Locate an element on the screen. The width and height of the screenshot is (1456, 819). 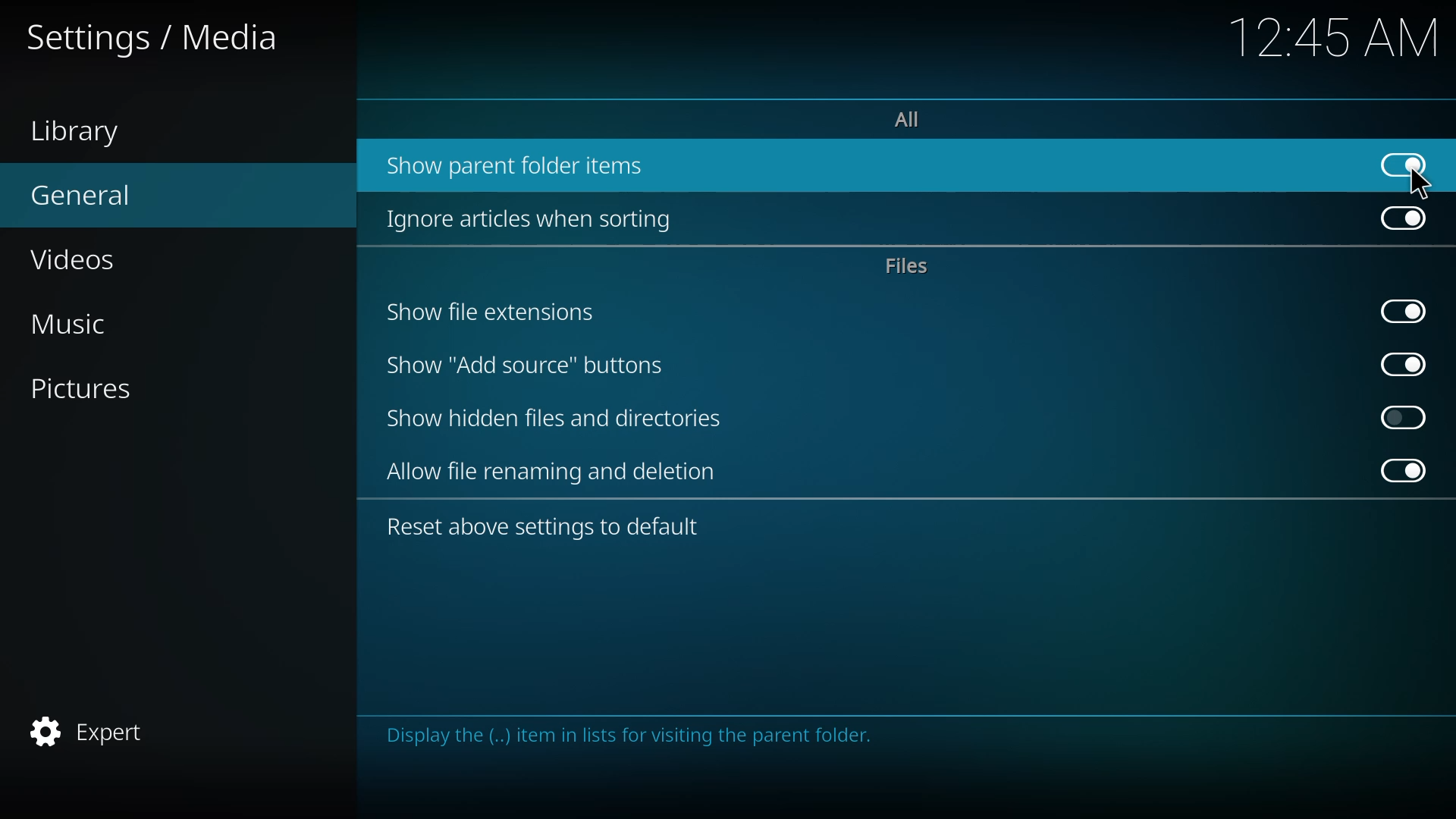
enabled is located at coordinates (1401, 162).